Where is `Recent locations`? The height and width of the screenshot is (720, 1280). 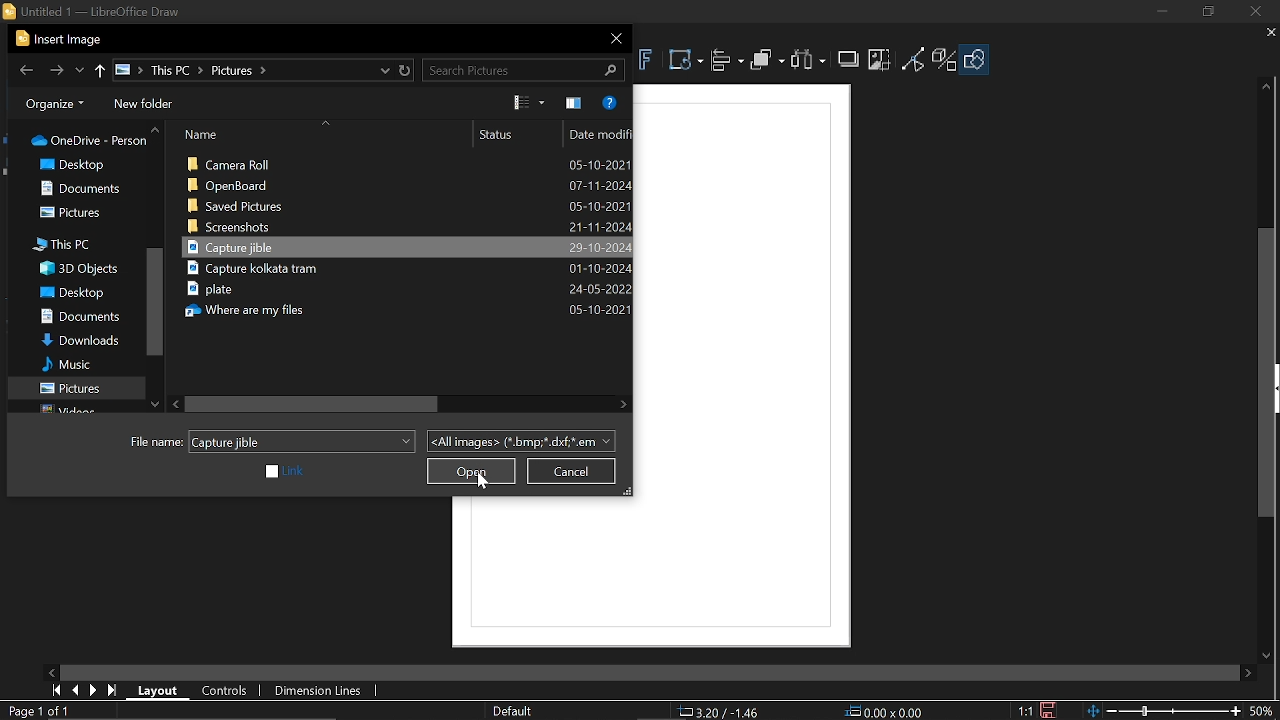
Recent locations is located at coordinates (79, 71).